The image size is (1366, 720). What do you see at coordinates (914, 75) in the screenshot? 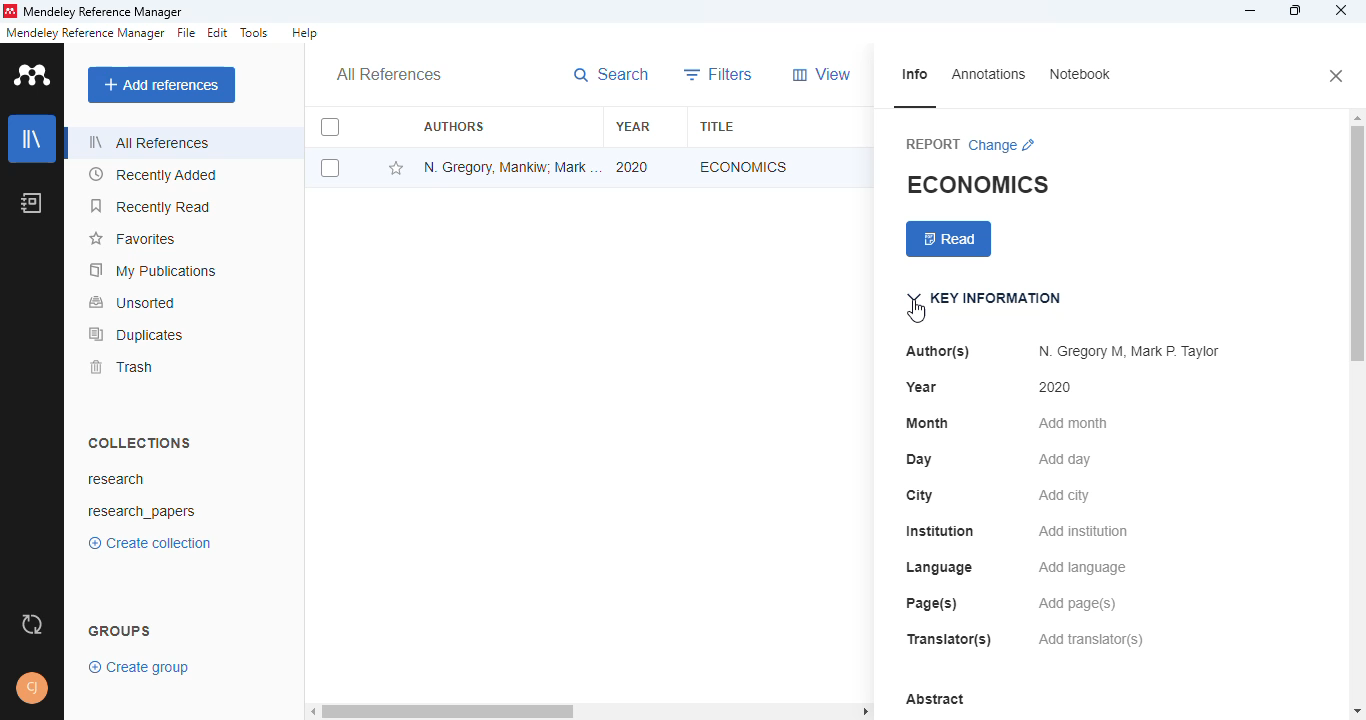
I see `info` at bounding box center [914, 75].